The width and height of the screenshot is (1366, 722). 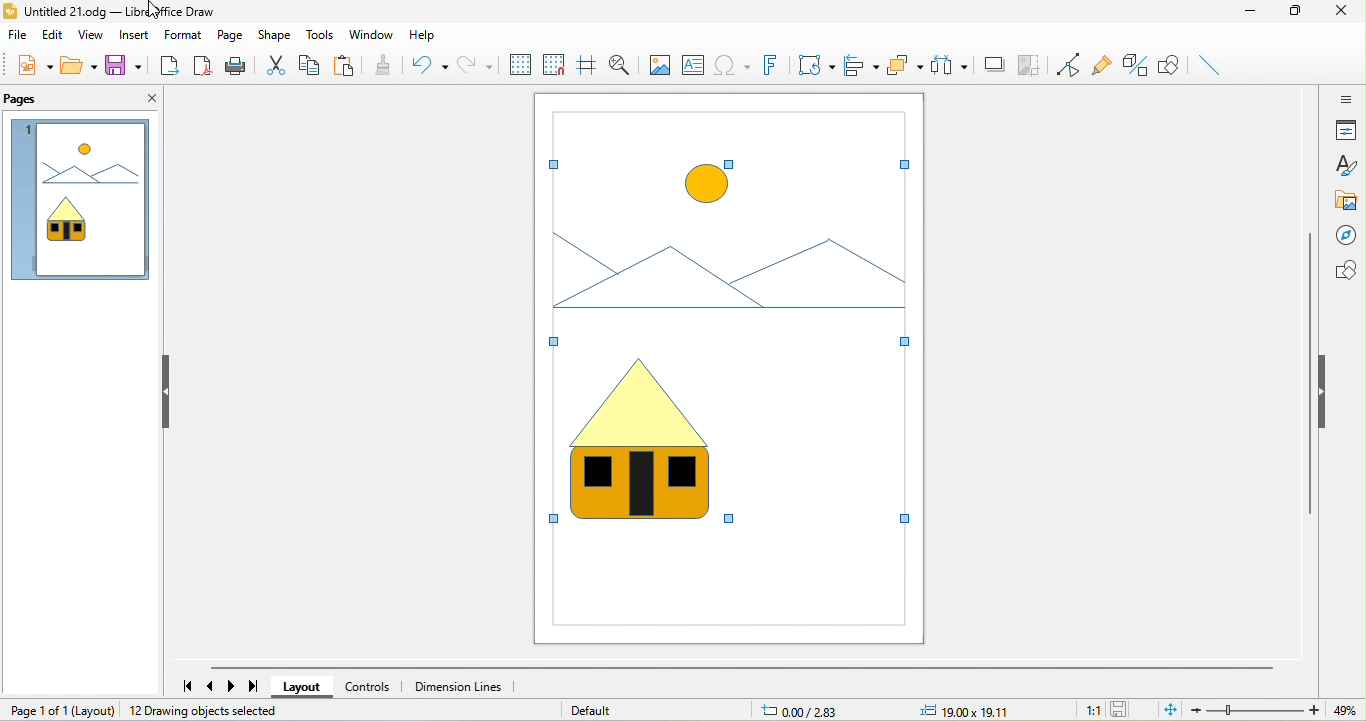 What do you see at coordinates (34, 65) in the screenshot?
I see `new` at bounding box center [34, 65].